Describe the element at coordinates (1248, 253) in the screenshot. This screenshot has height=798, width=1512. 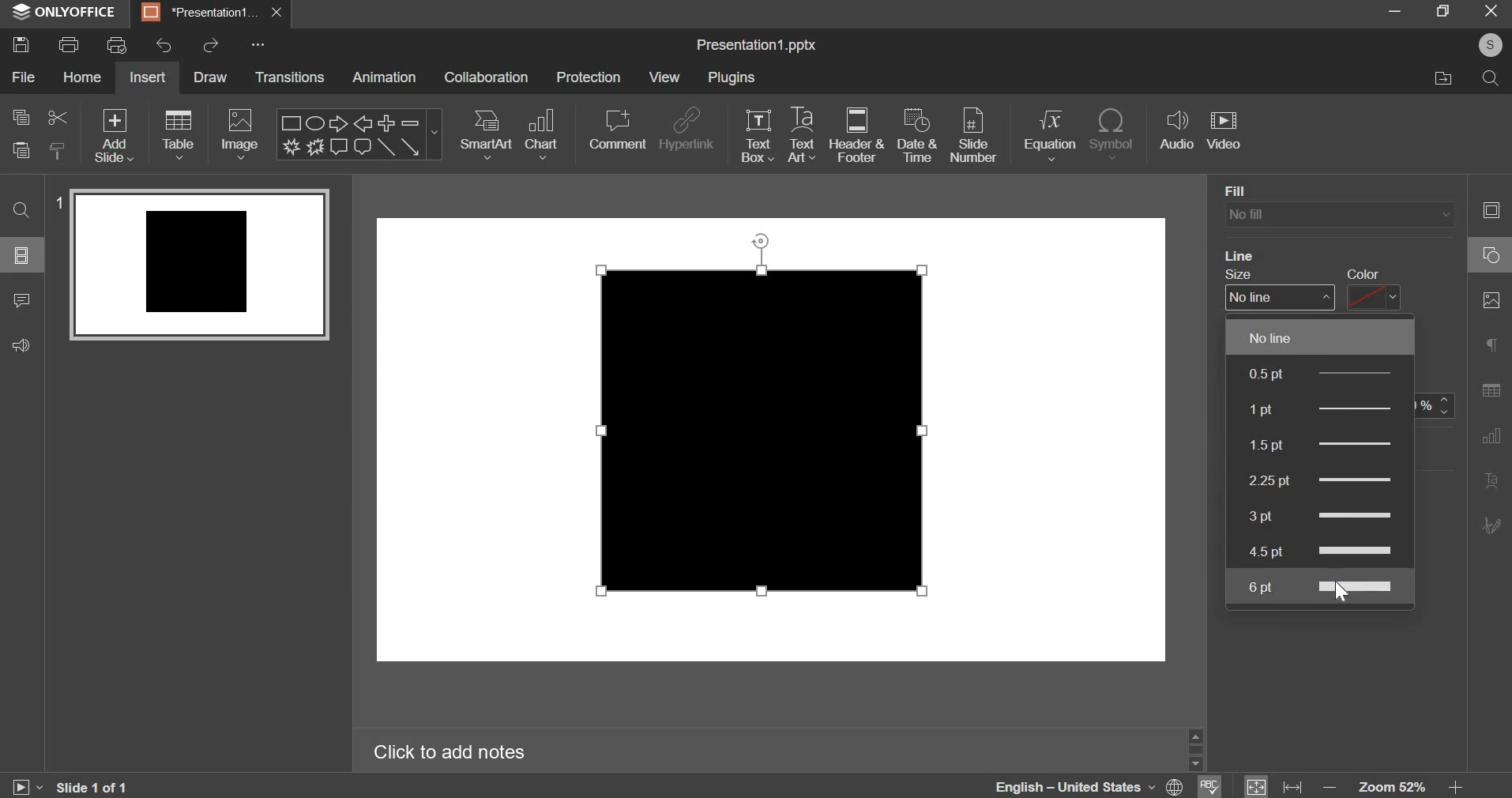
I see `Line` at that location.